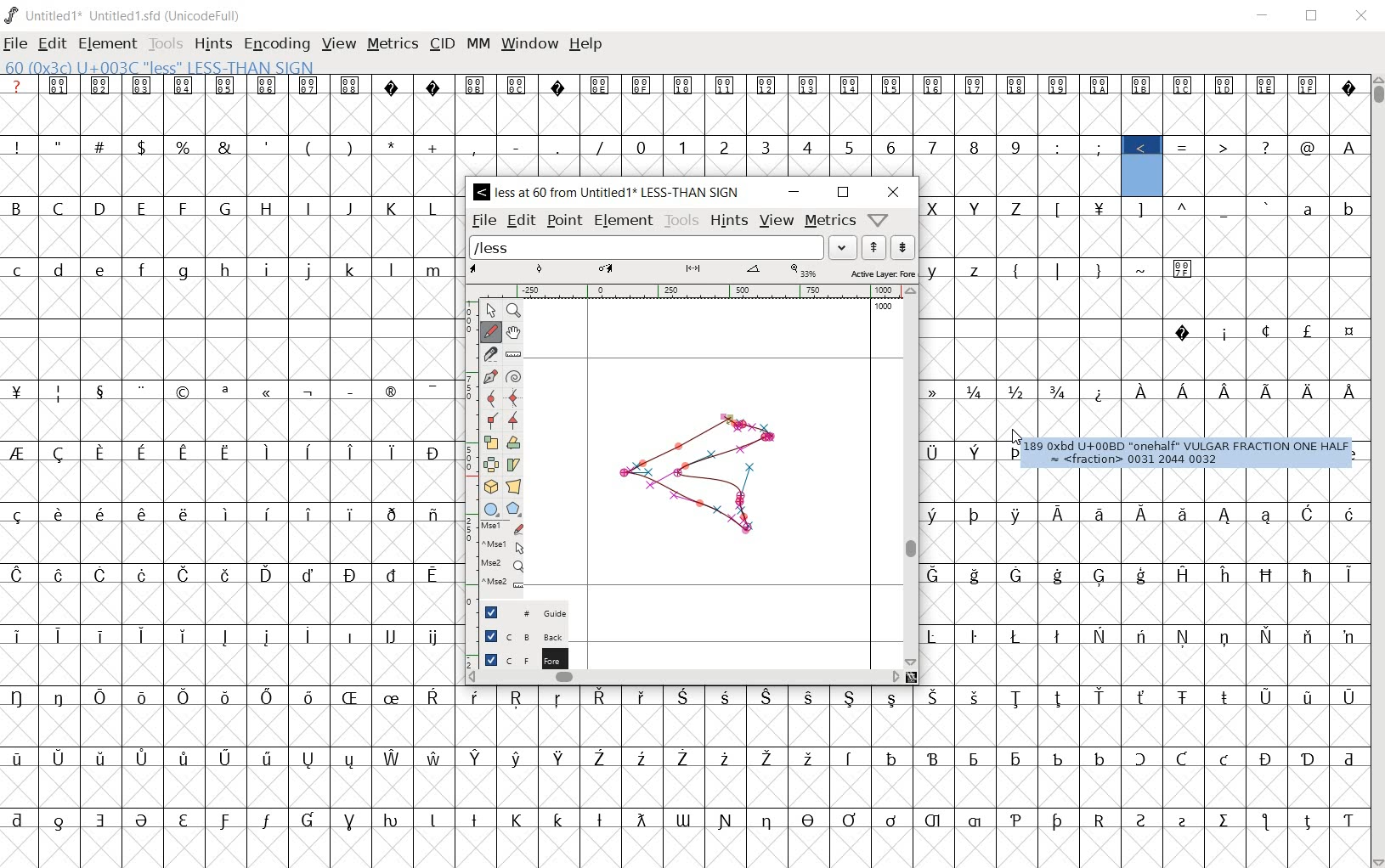 The height and width of the screenshot is (868, 1385). What do you see at coordinates (680, 697) in the screenshot?
I see `` at bounding box center [680, 697].